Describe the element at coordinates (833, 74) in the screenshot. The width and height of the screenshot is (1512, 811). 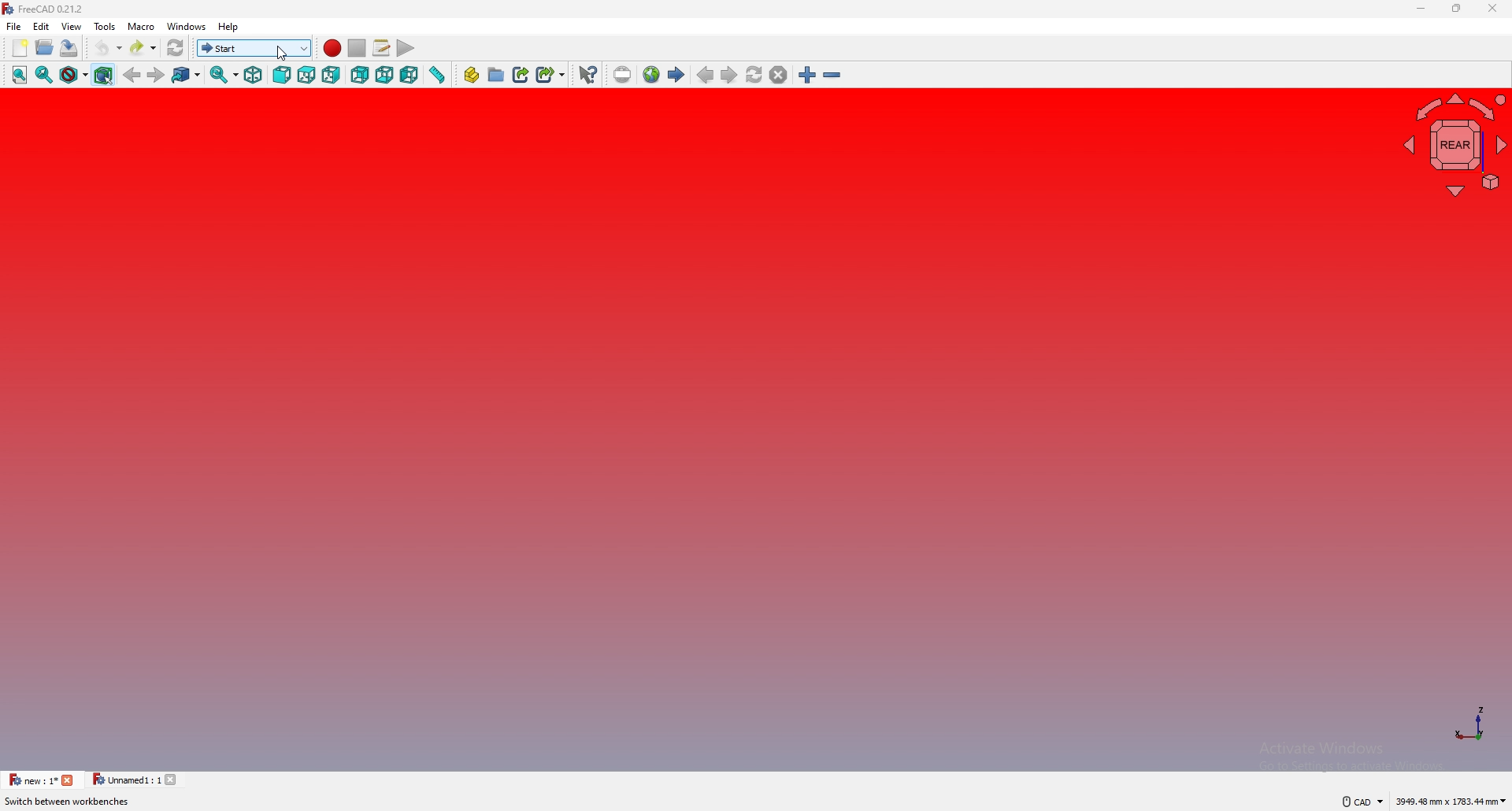
I see `zoom out` at that location.